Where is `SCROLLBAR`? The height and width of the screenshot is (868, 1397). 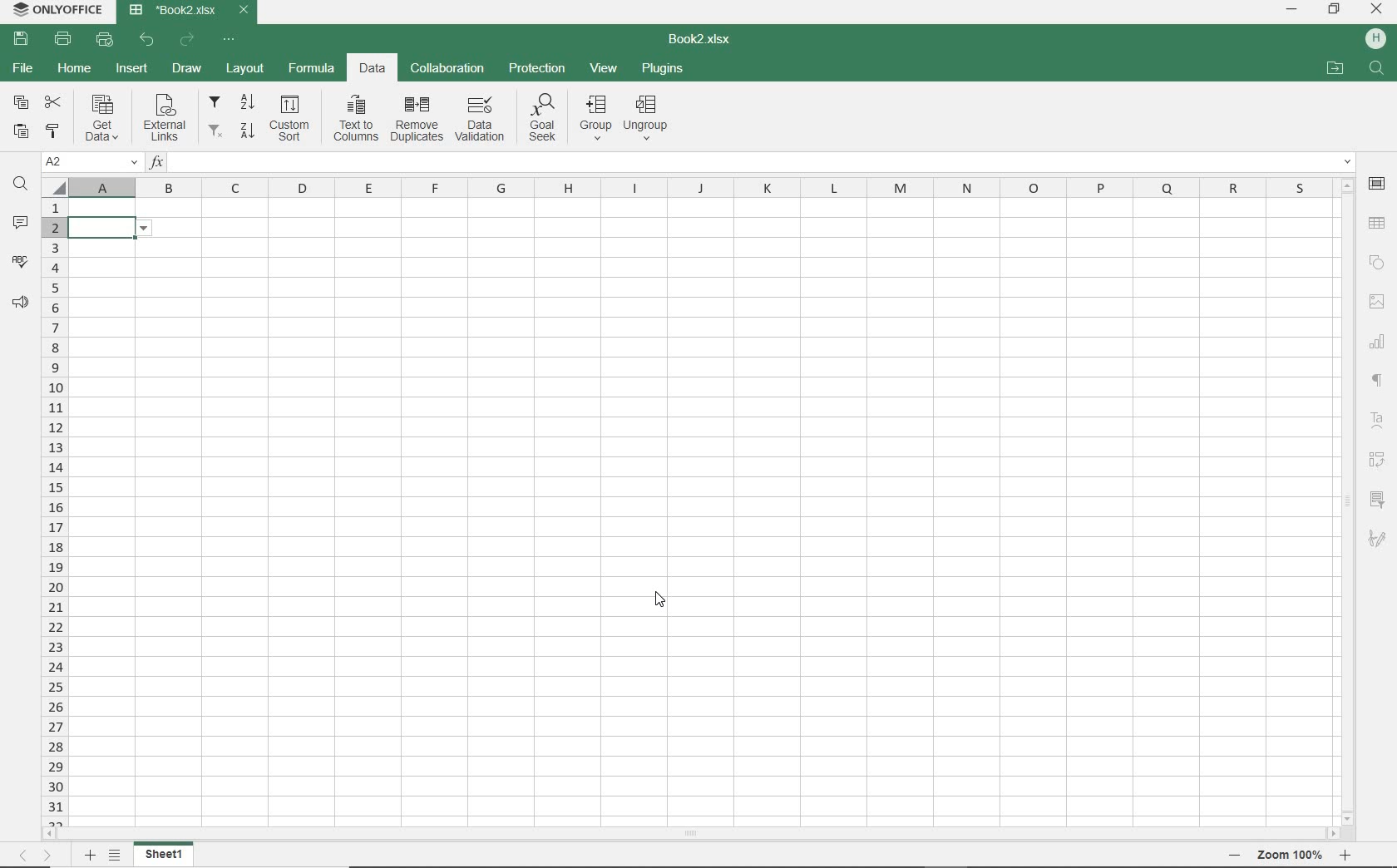 SCROLLBAR is located at coordinates (1348, 496).